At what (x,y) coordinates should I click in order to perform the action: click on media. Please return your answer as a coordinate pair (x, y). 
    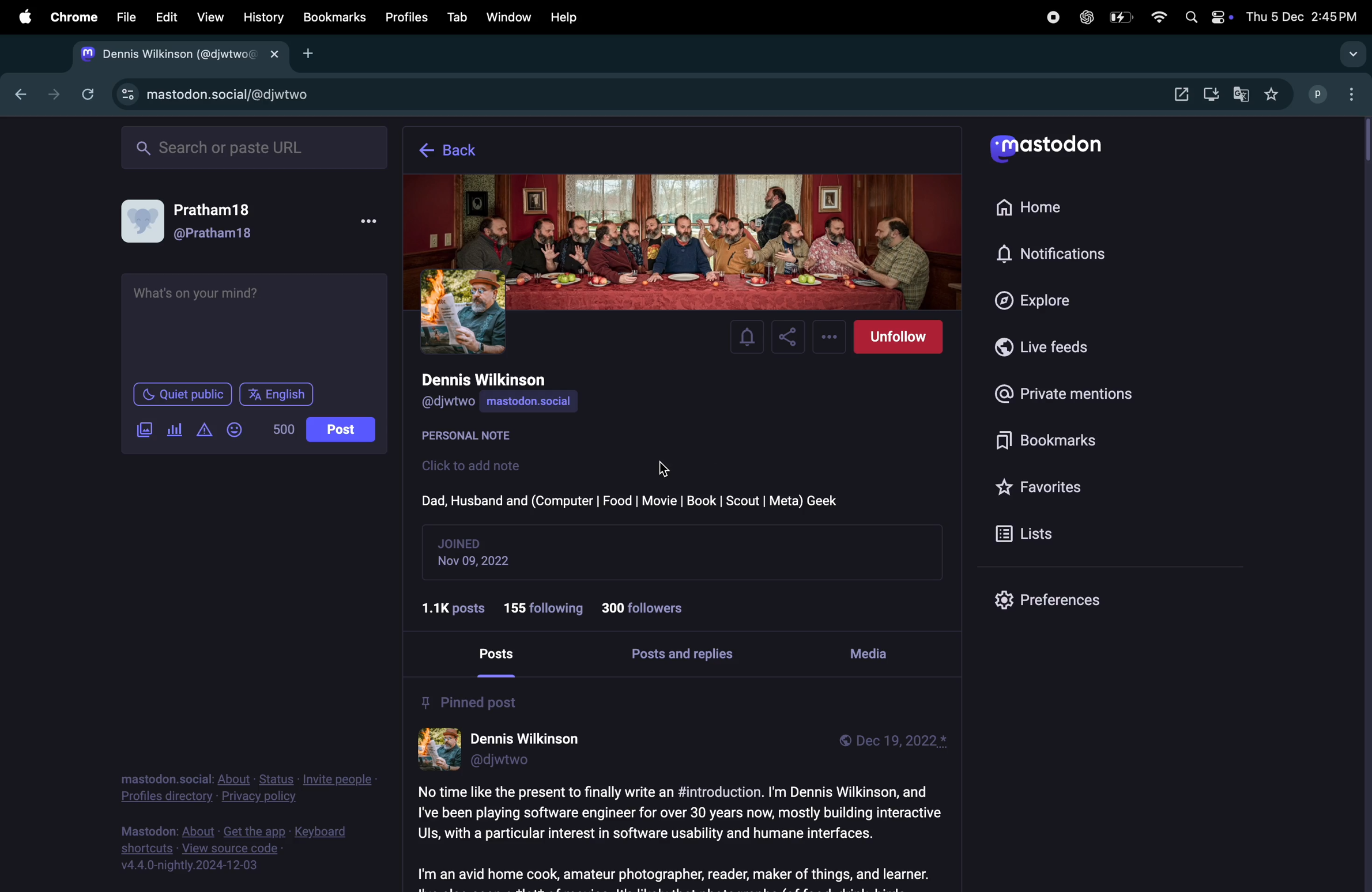
    Looking at the image, I should click on (872, 651).